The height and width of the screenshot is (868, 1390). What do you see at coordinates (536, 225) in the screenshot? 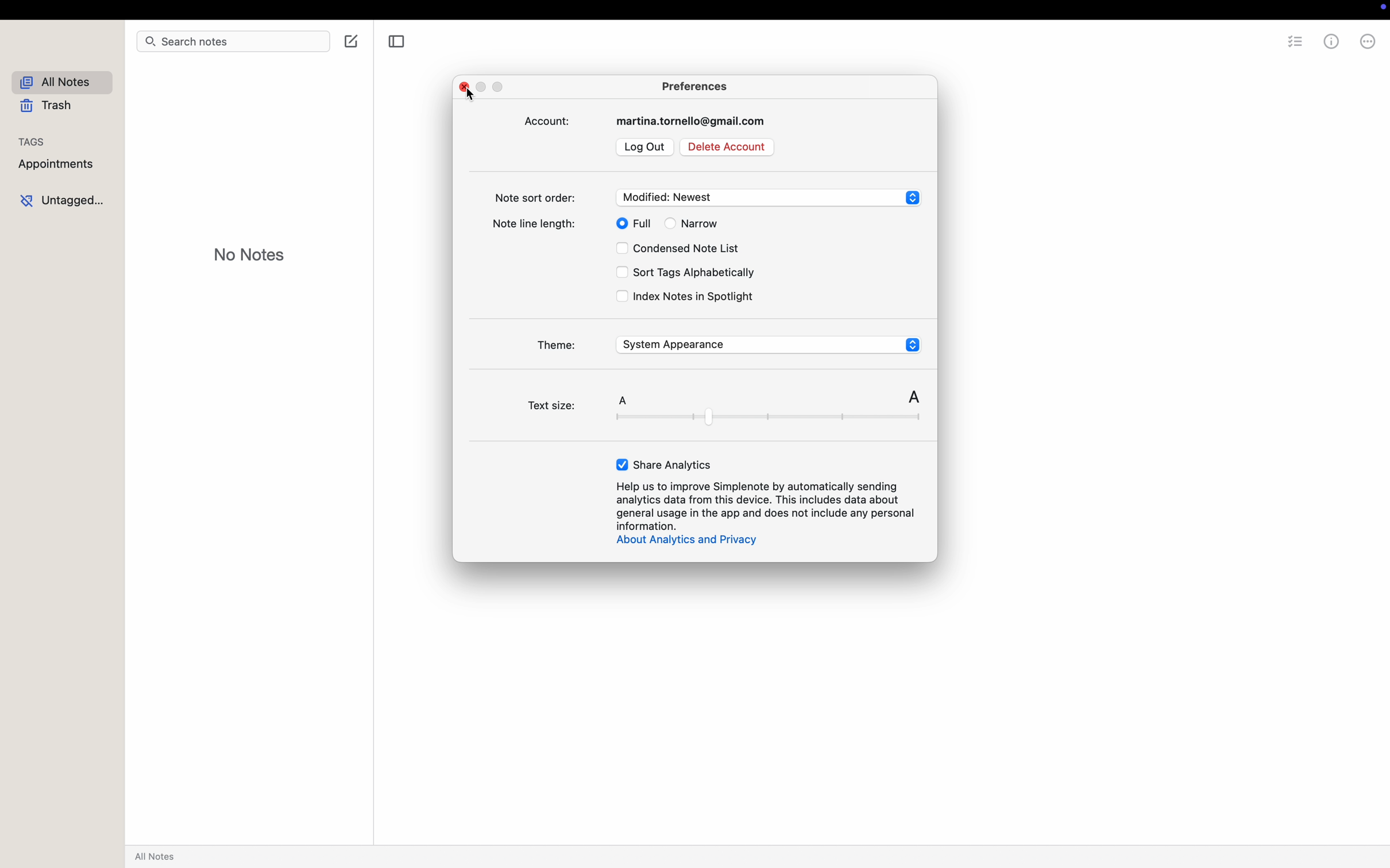
I see `note line length` at bounding box center [536, 225].